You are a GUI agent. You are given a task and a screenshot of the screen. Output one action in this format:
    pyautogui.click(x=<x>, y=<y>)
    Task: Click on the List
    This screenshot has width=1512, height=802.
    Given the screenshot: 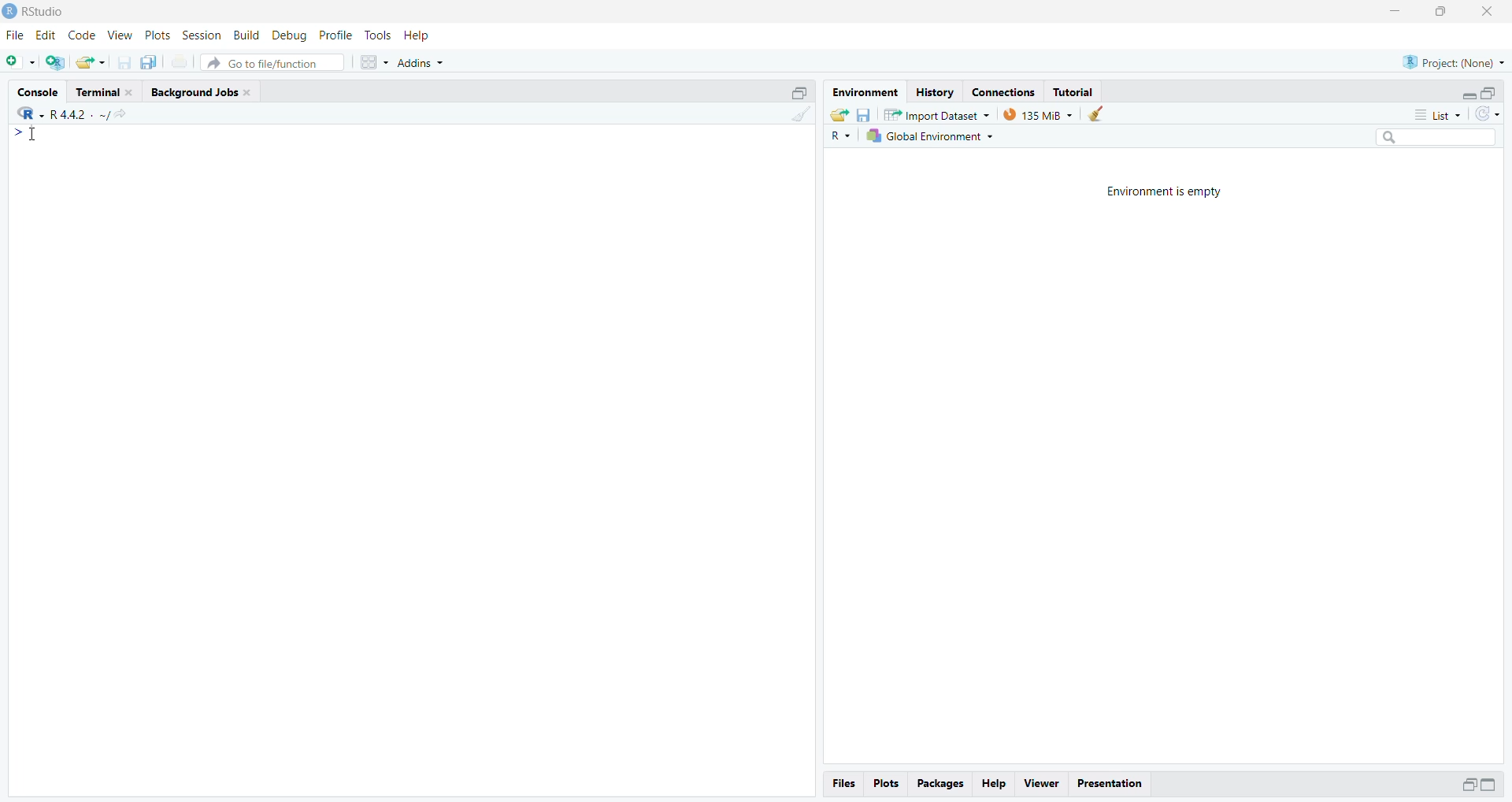 What is the action you would take?
    pyautogui.click(x=1441, y=115)
    